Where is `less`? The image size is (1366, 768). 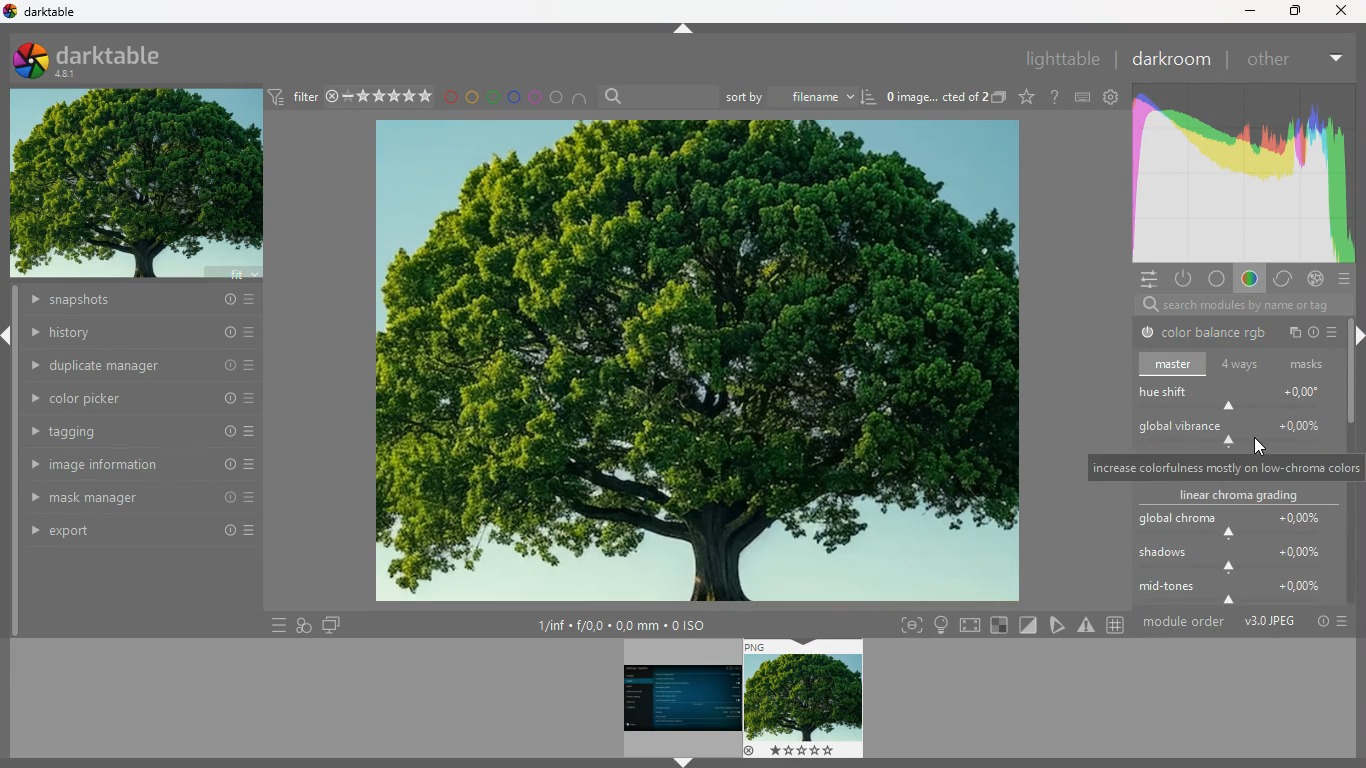
less is located at coordinates (1333, 55).